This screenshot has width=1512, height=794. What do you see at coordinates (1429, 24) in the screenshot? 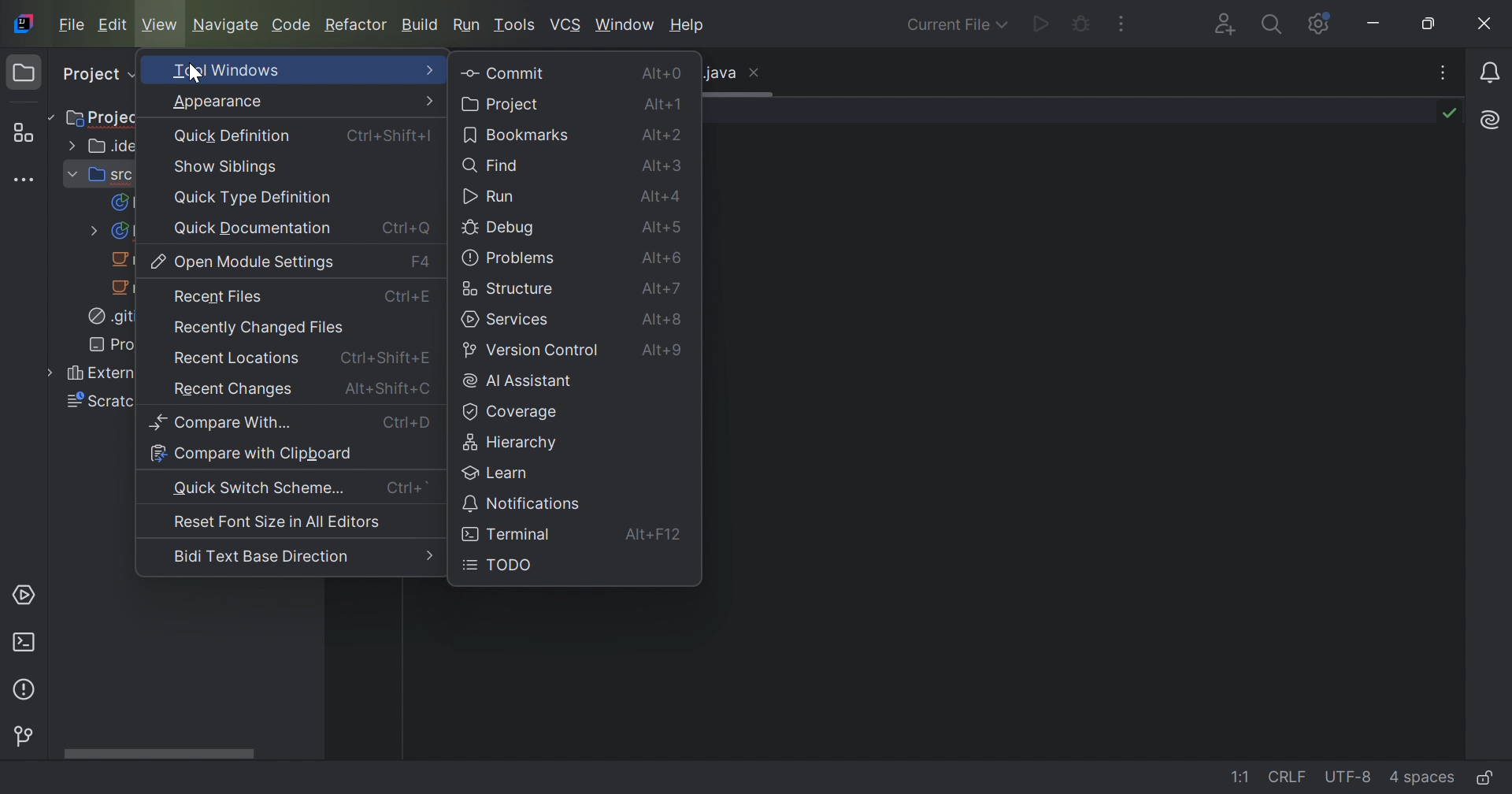
I see `Restore down` at bounding box center [1429, 24].